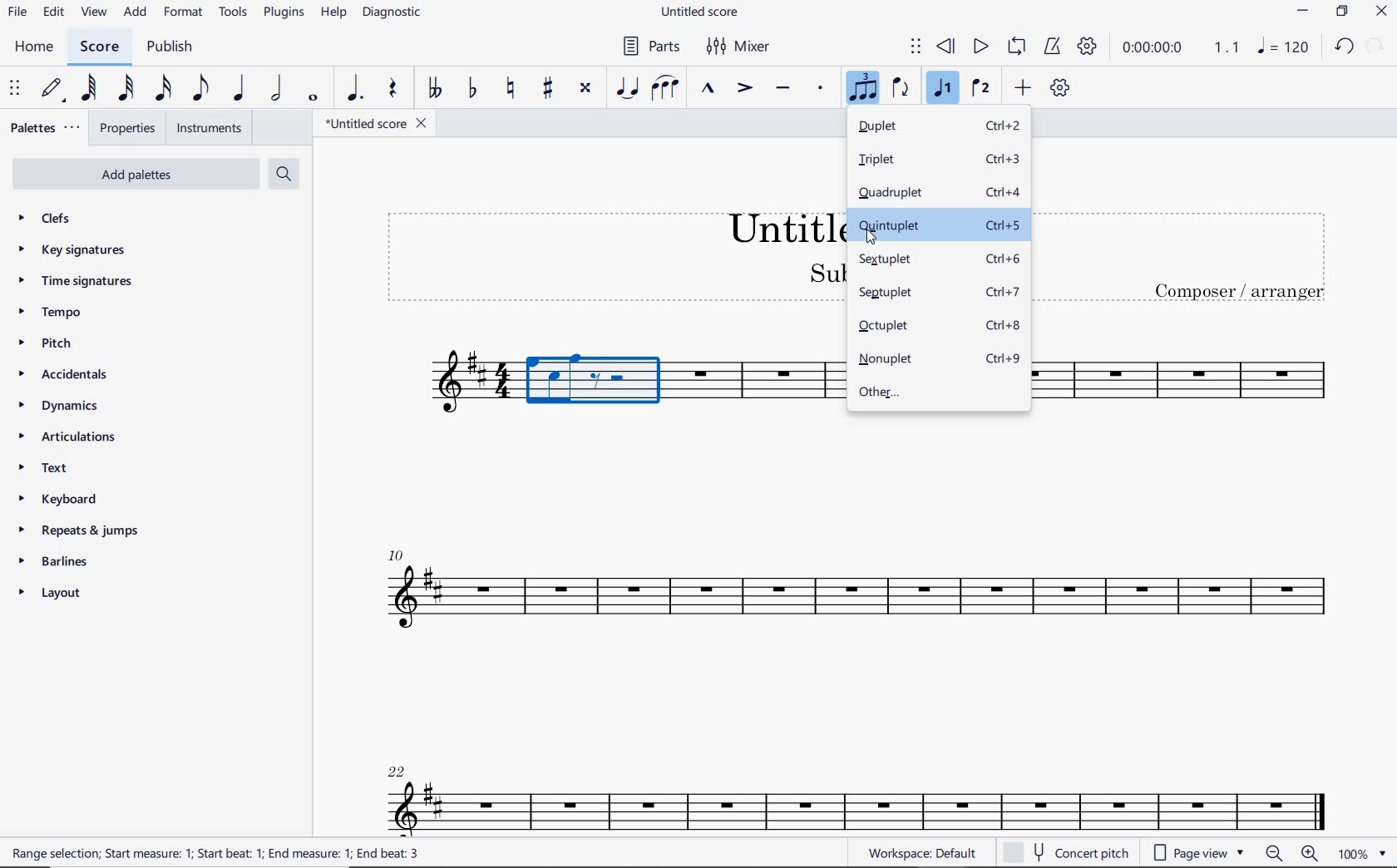 The image size is (1397, 868). What do you see at coordinates (135, 12) in the screenshot?
I see `ADD` at bounding box center [135, 12].